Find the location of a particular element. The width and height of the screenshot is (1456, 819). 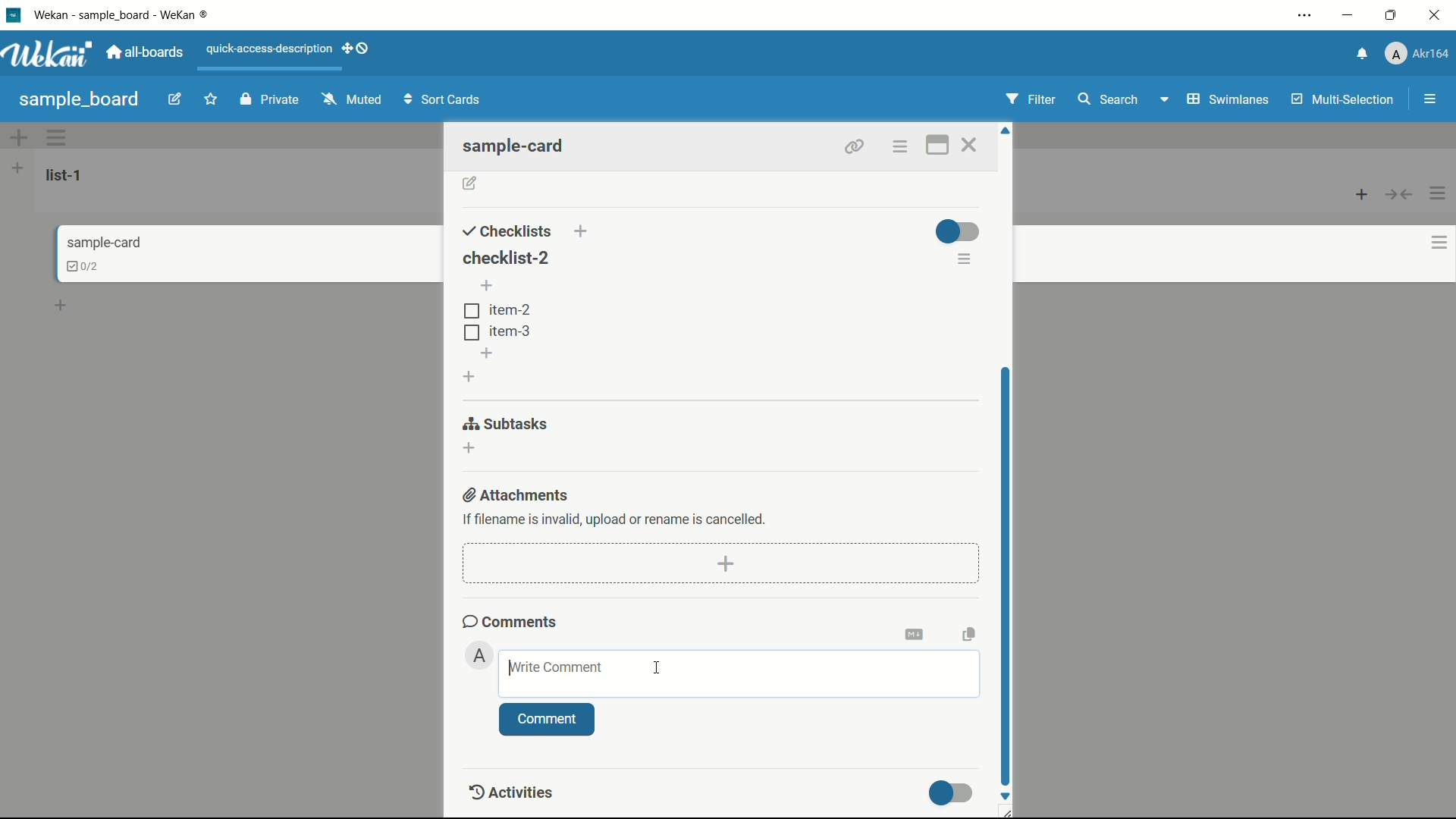

all boards is located at coordinates (149, 52).